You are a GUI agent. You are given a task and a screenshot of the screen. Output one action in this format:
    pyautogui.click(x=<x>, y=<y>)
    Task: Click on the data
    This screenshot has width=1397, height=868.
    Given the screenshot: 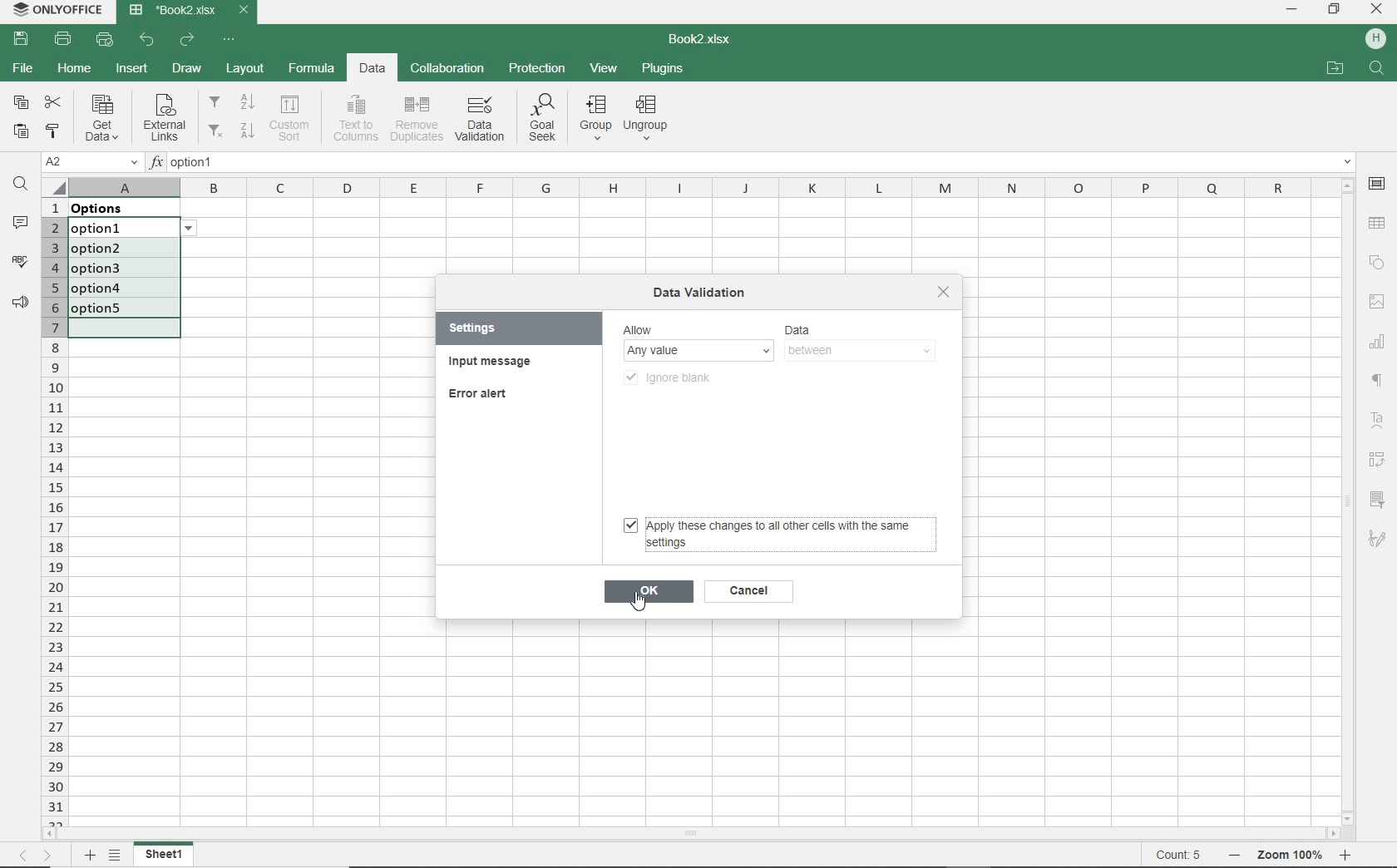 What is the action you would take?
    pyautogui.click(x=110, y=208)
    